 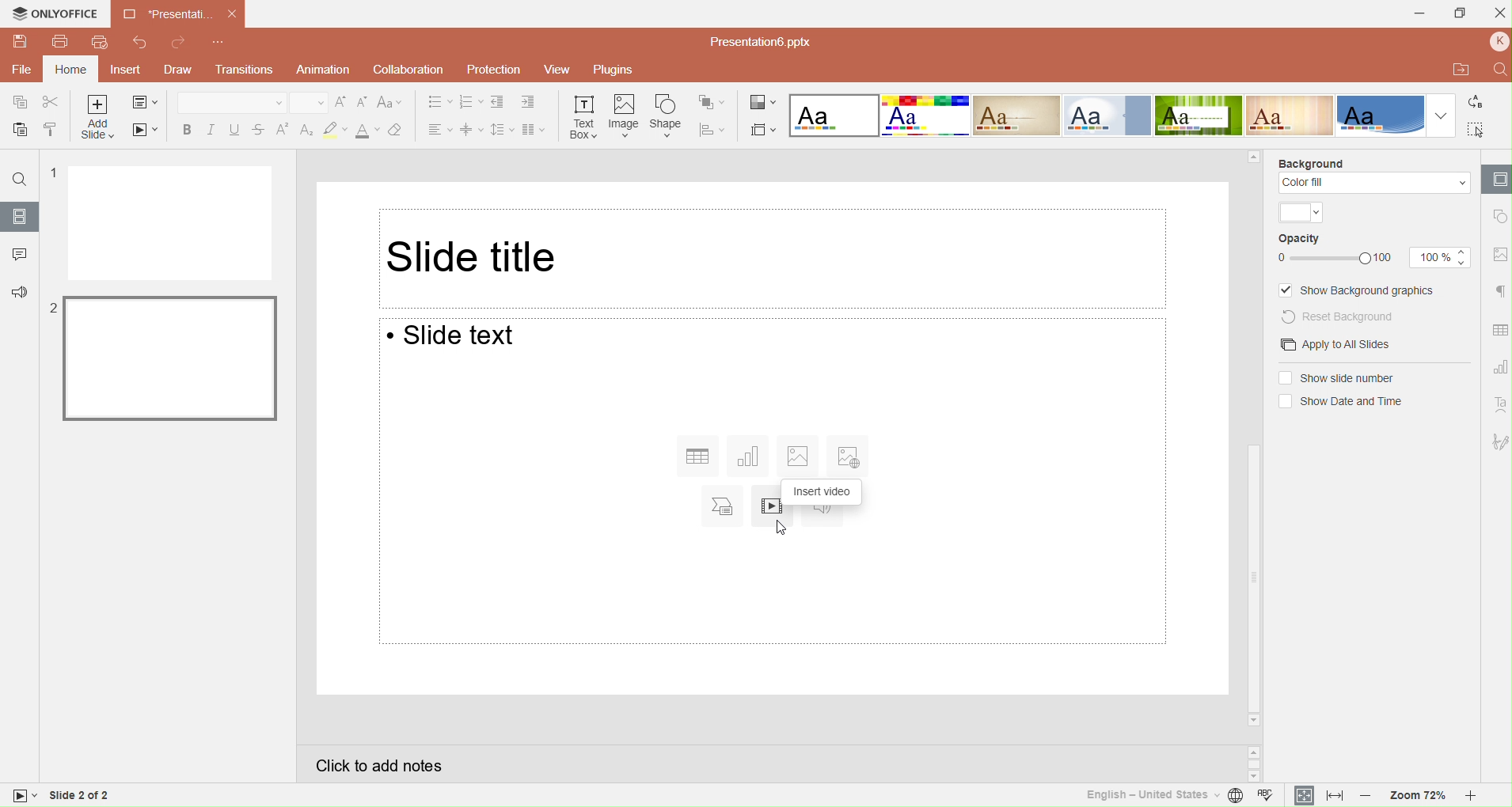 What do you see at coordinates (1107, 116) in the screenshot?
I see `Official` at bounding box center [1107, 116].